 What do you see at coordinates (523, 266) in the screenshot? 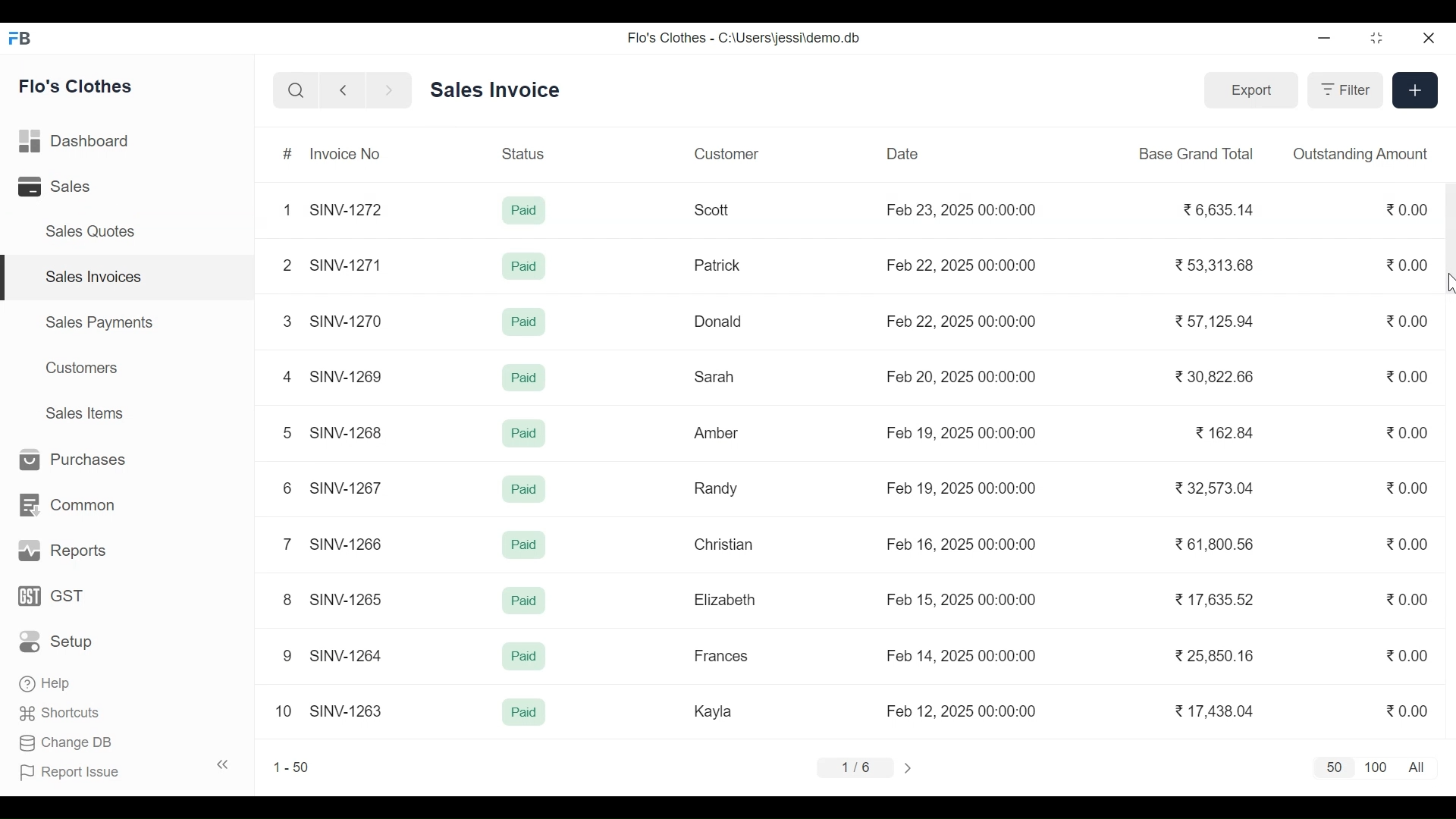
I see `Paid` at bounding box center [523, 266].